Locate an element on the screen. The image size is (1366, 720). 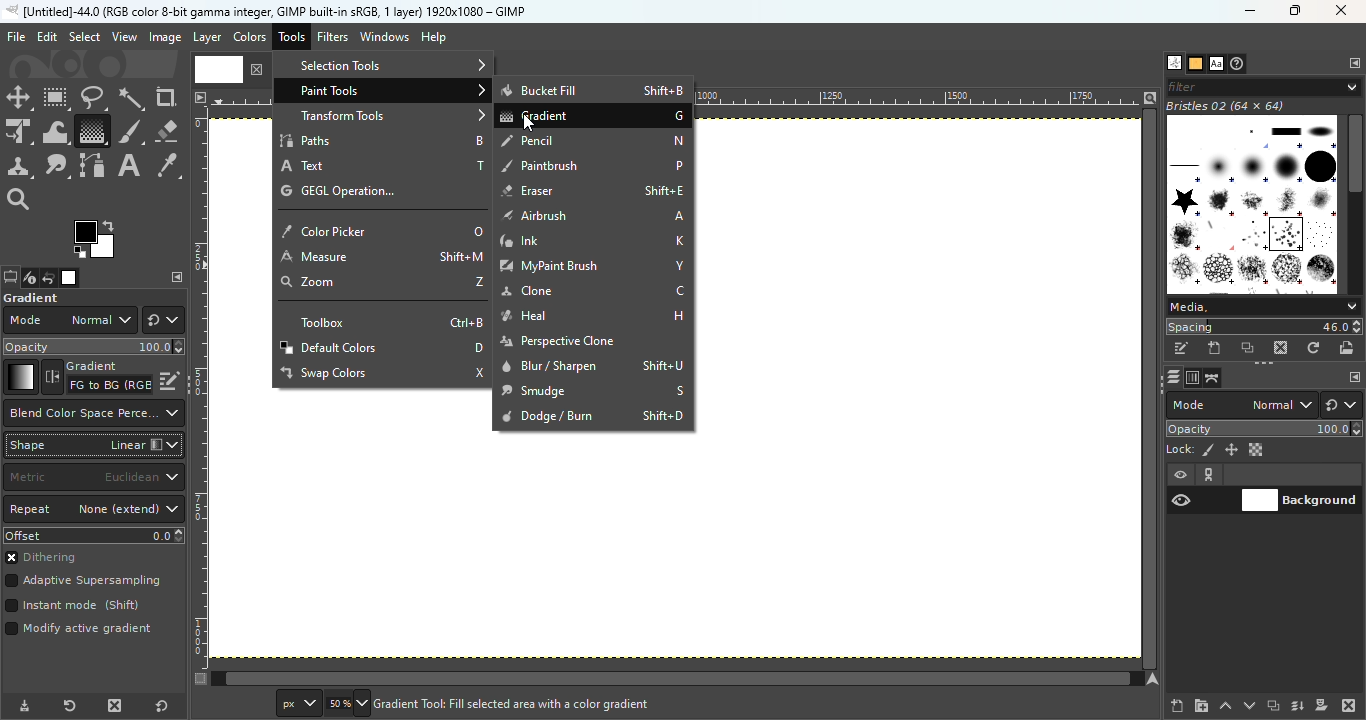
Refresh brushes is located at coordinates (1314, 348).